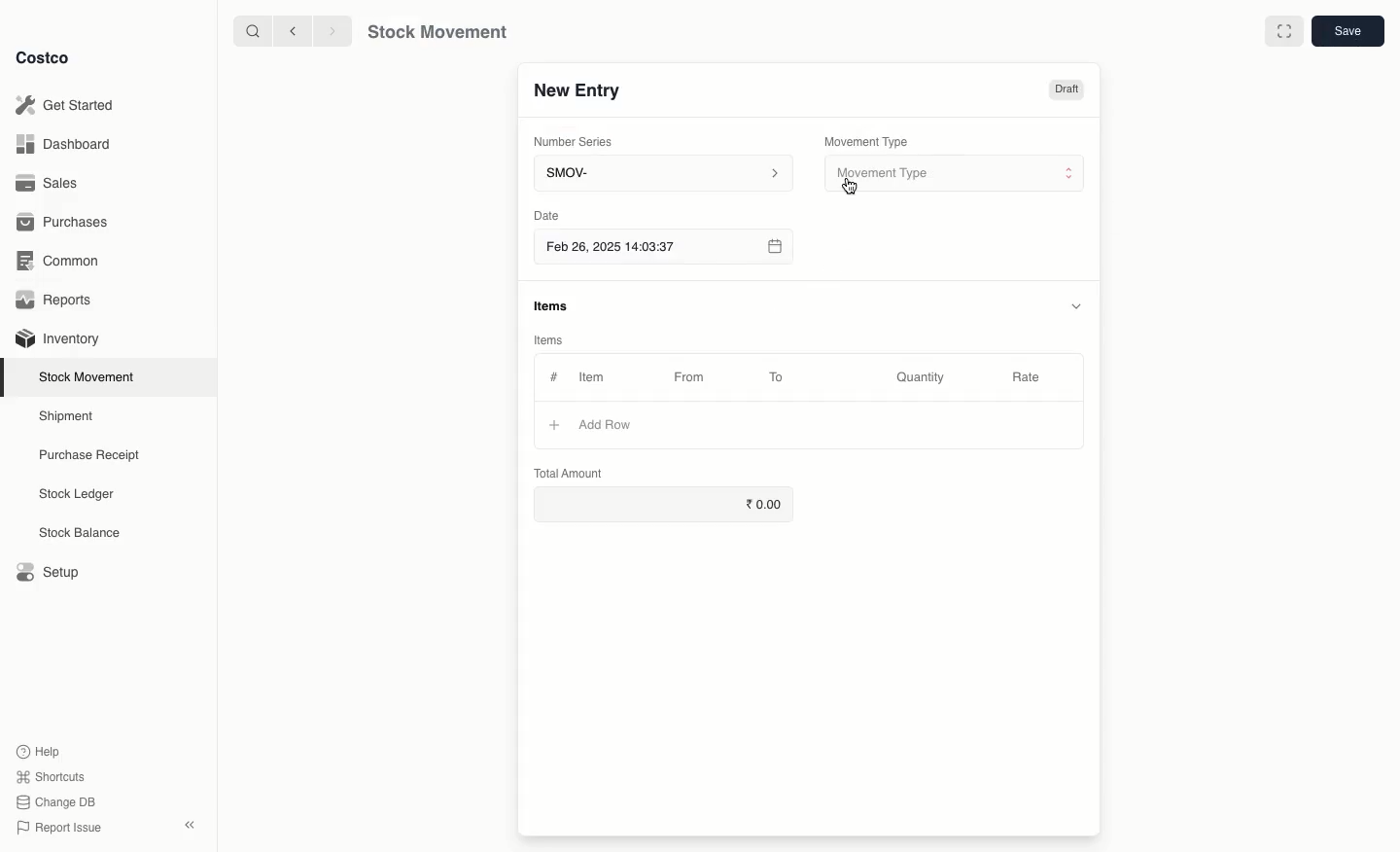 The image size is (1400, 852). What do you see at coordinates (664, 500) in the screenshot?
I see `0.00` at bounding box center [664, 500].